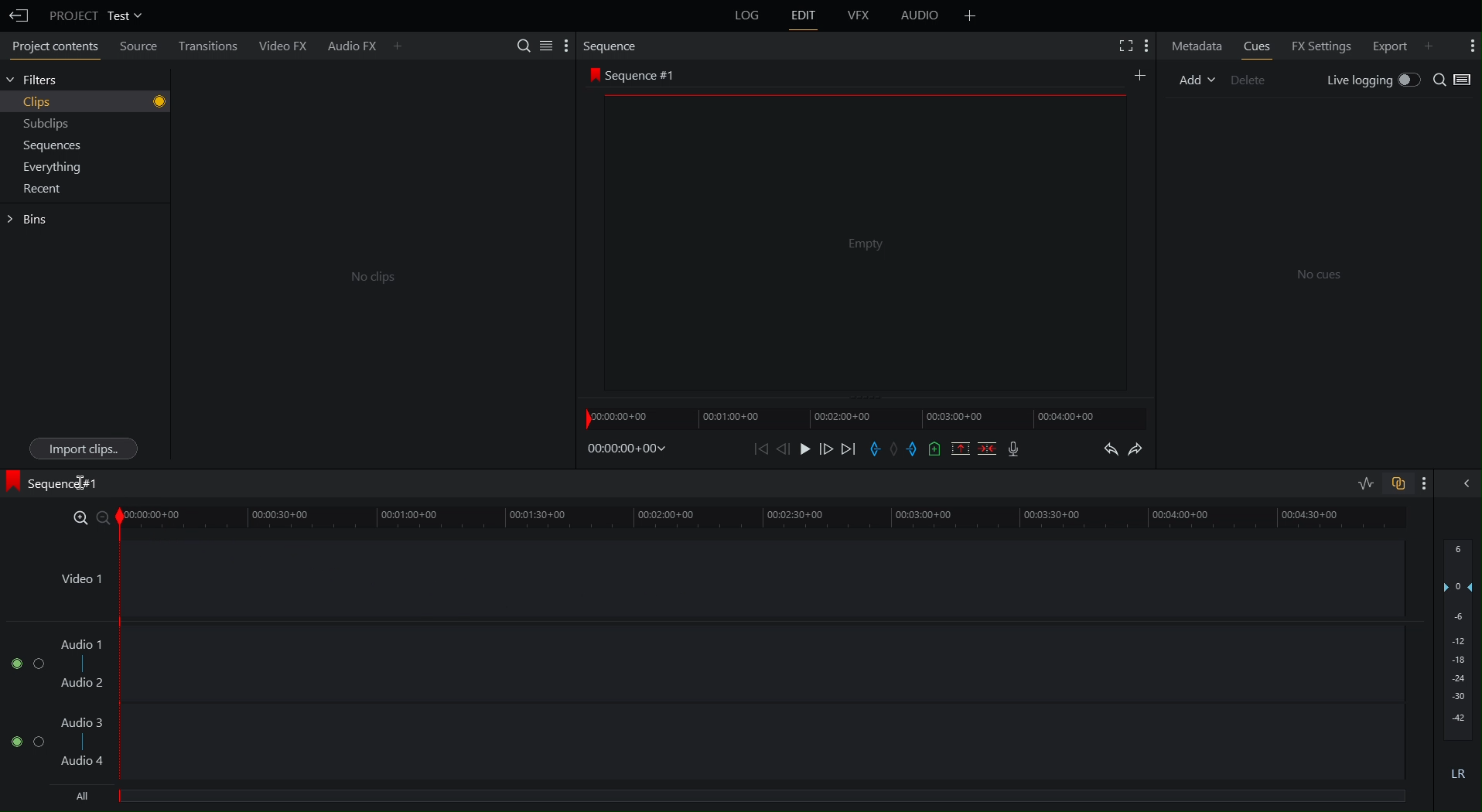 This screenshot has height=812, width=1482. I want to click on Search, so click(1441, 79).